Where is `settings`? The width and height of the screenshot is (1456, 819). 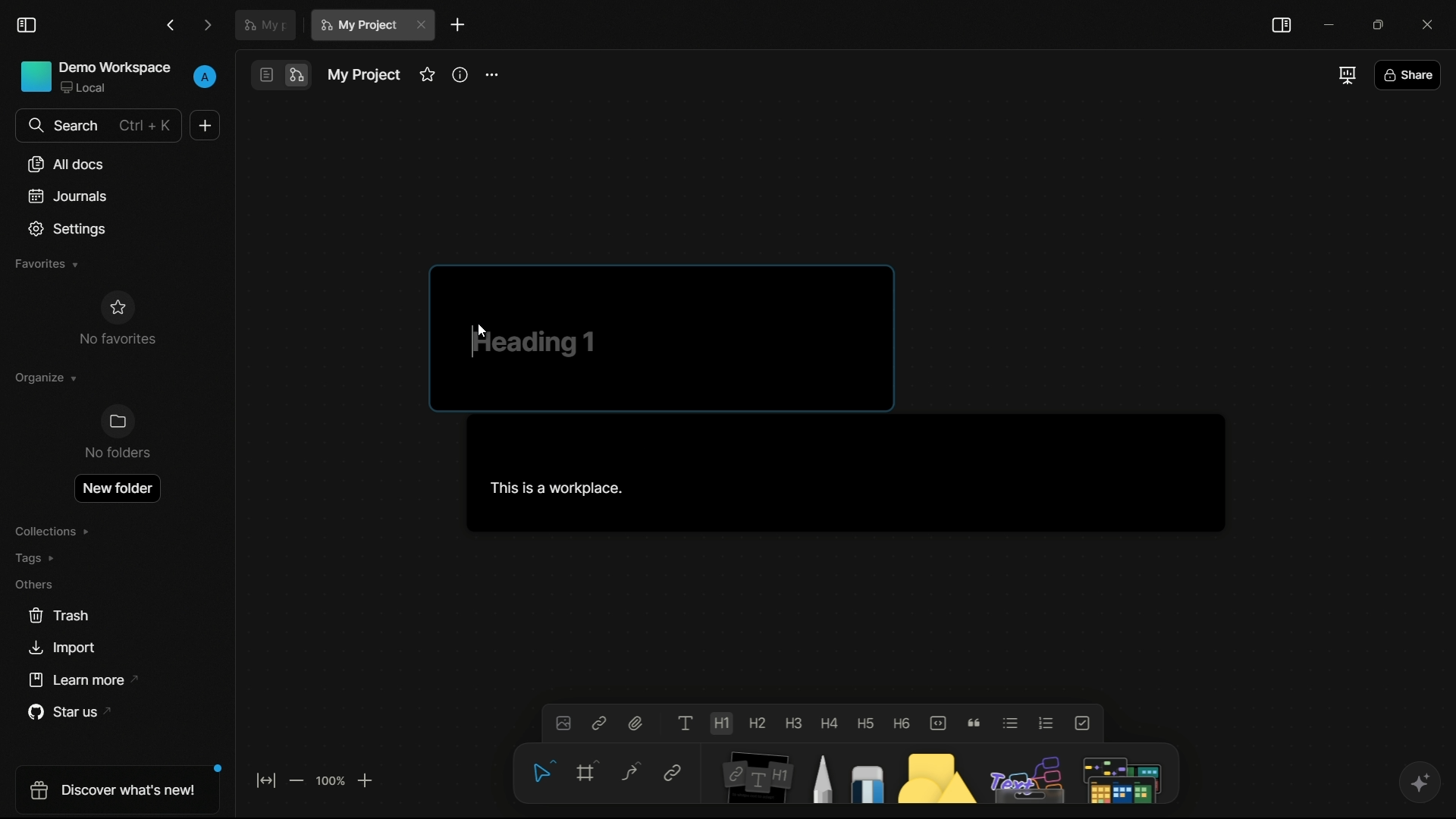 settings is located at coordinates (66, 230).